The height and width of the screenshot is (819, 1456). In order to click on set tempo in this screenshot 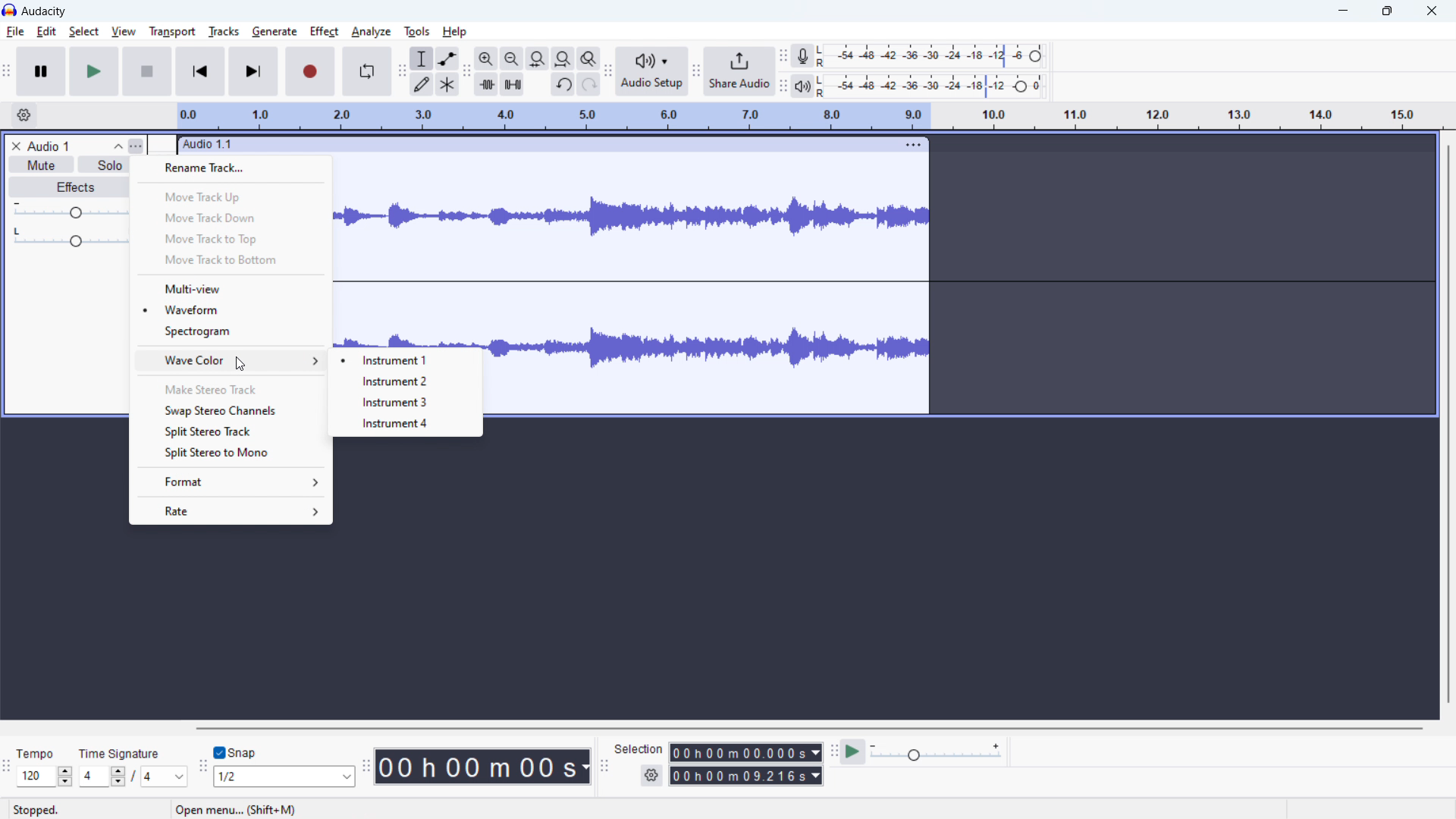, I will do `click(44, 777)`.